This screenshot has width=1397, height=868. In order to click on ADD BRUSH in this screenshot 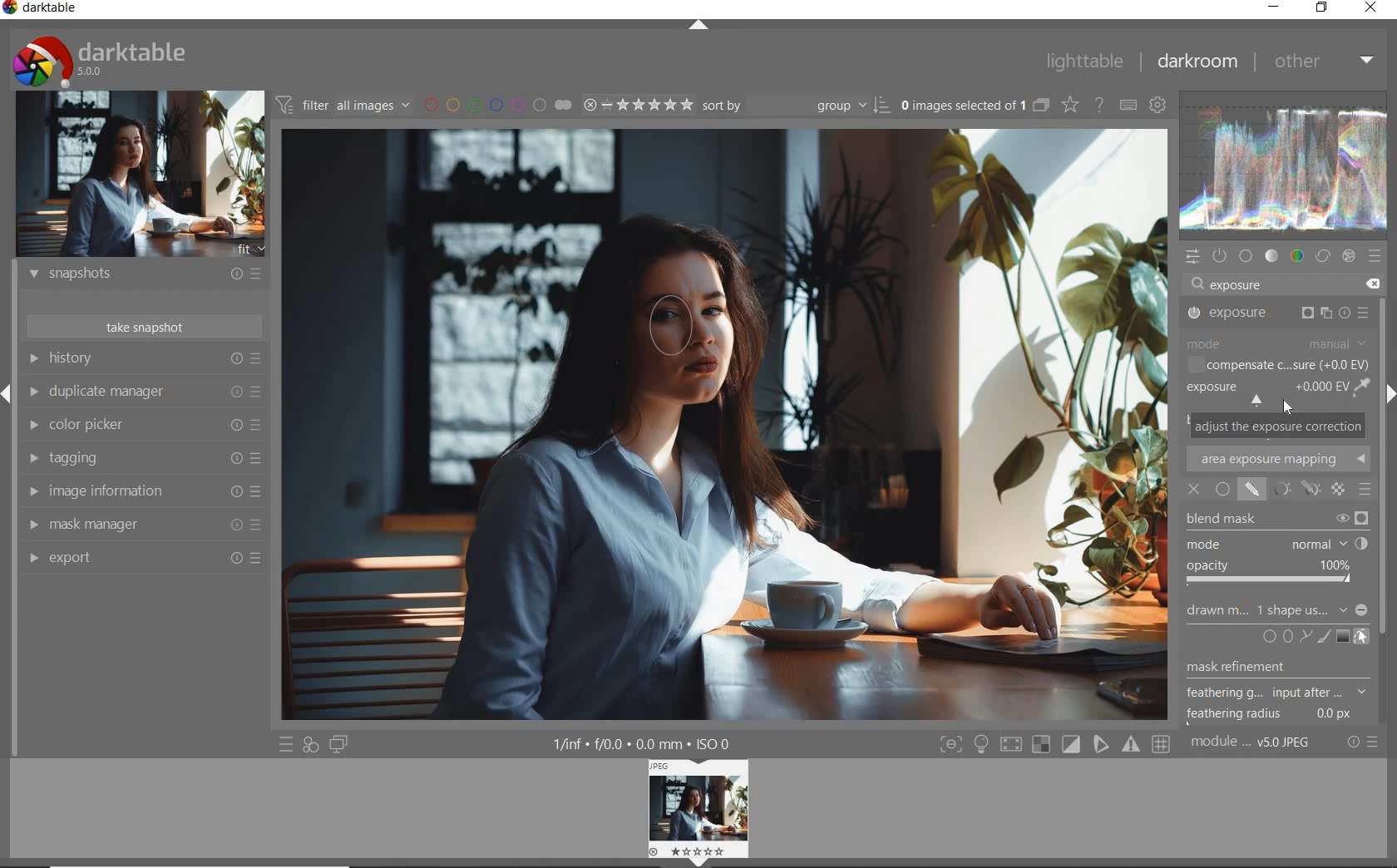, I will do `click(1322, 637)`.